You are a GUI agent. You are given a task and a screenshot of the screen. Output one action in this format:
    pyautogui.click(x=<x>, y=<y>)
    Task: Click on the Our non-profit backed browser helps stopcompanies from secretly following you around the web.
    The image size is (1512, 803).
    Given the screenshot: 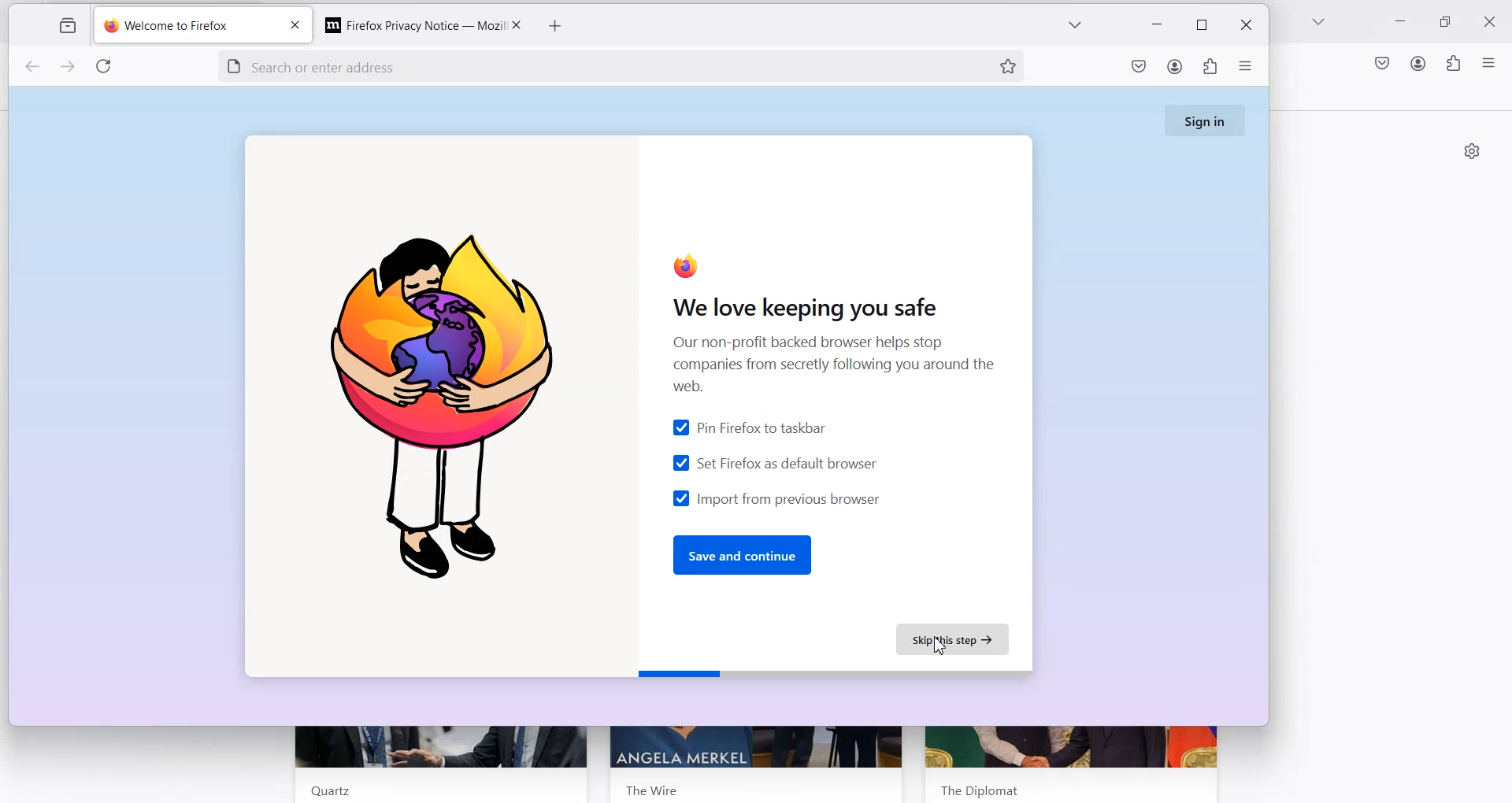 What is the action you would take?
    pyautogui.click(x=826, y=364)
    